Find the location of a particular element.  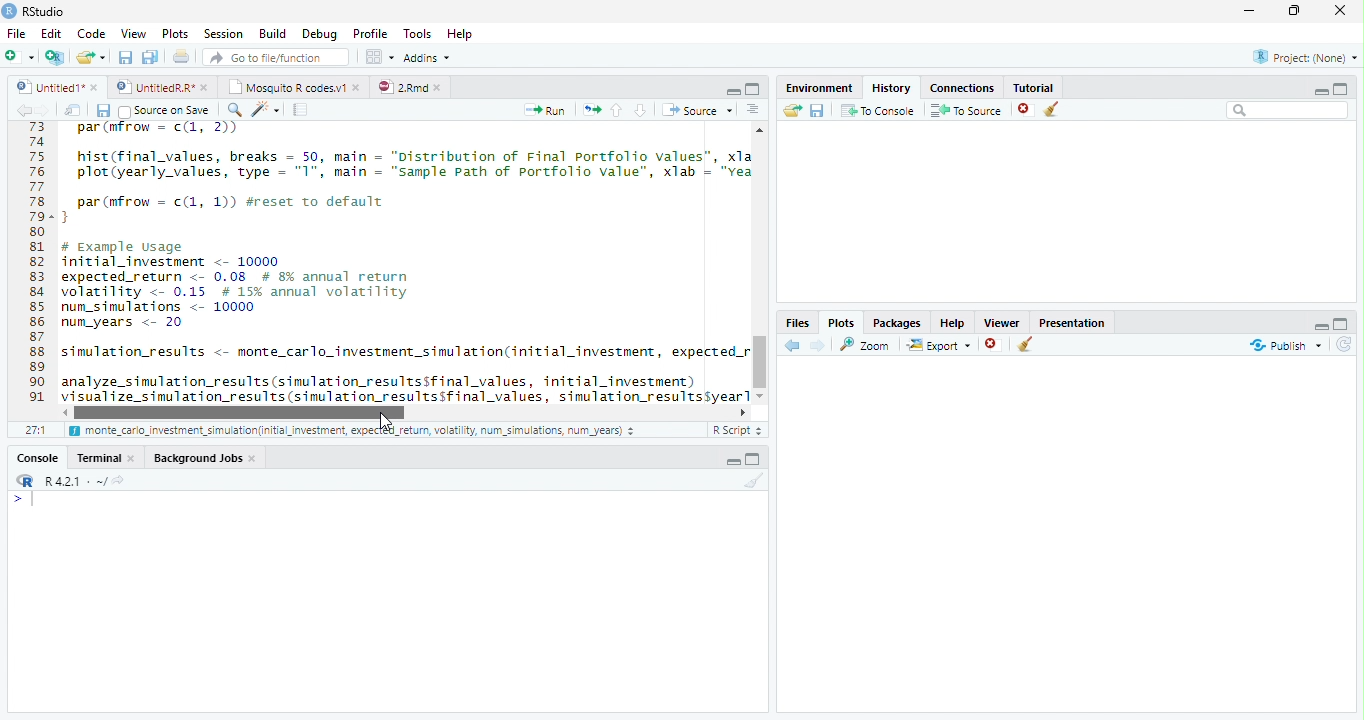

Close is located at coordinates (1342, 12).